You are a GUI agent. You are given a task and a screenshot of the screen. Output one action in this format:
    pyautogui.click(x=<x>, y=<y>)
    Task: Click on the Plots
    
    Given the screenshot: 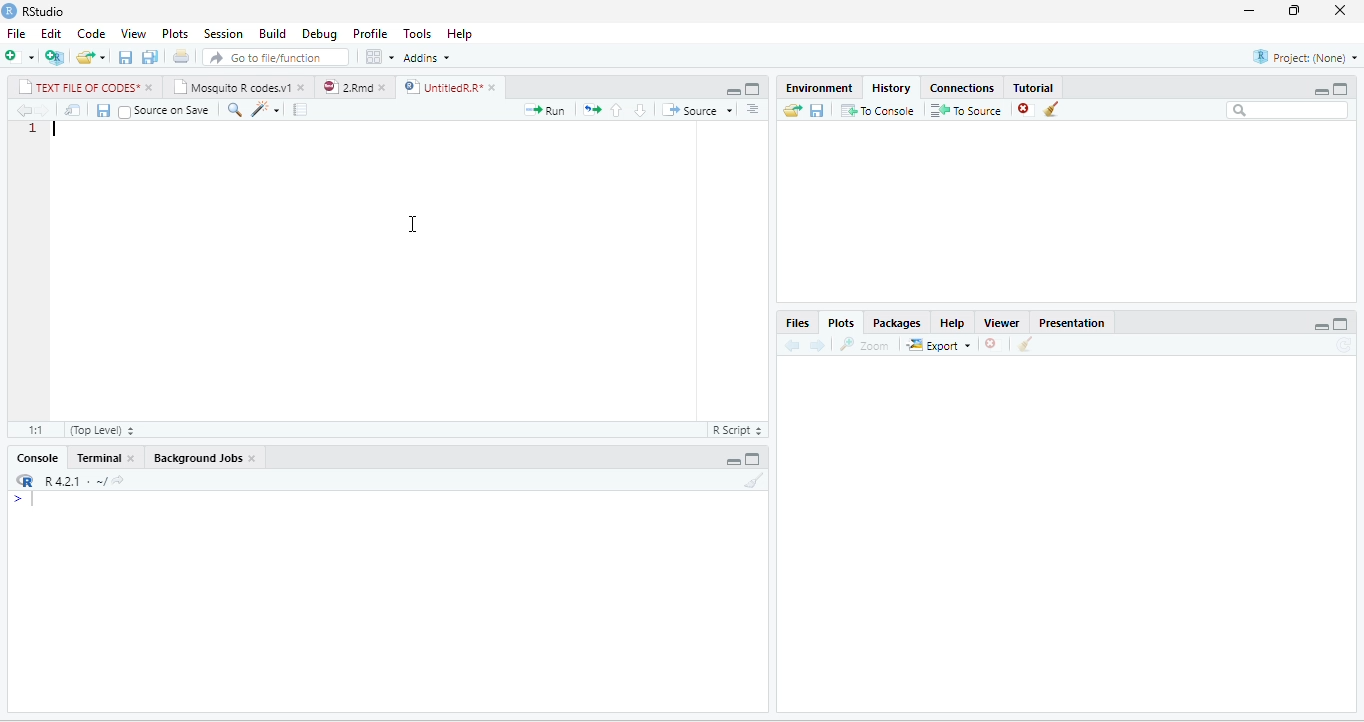 What is the action you would take?
    pyautogui.click(x=175, y=34)
    